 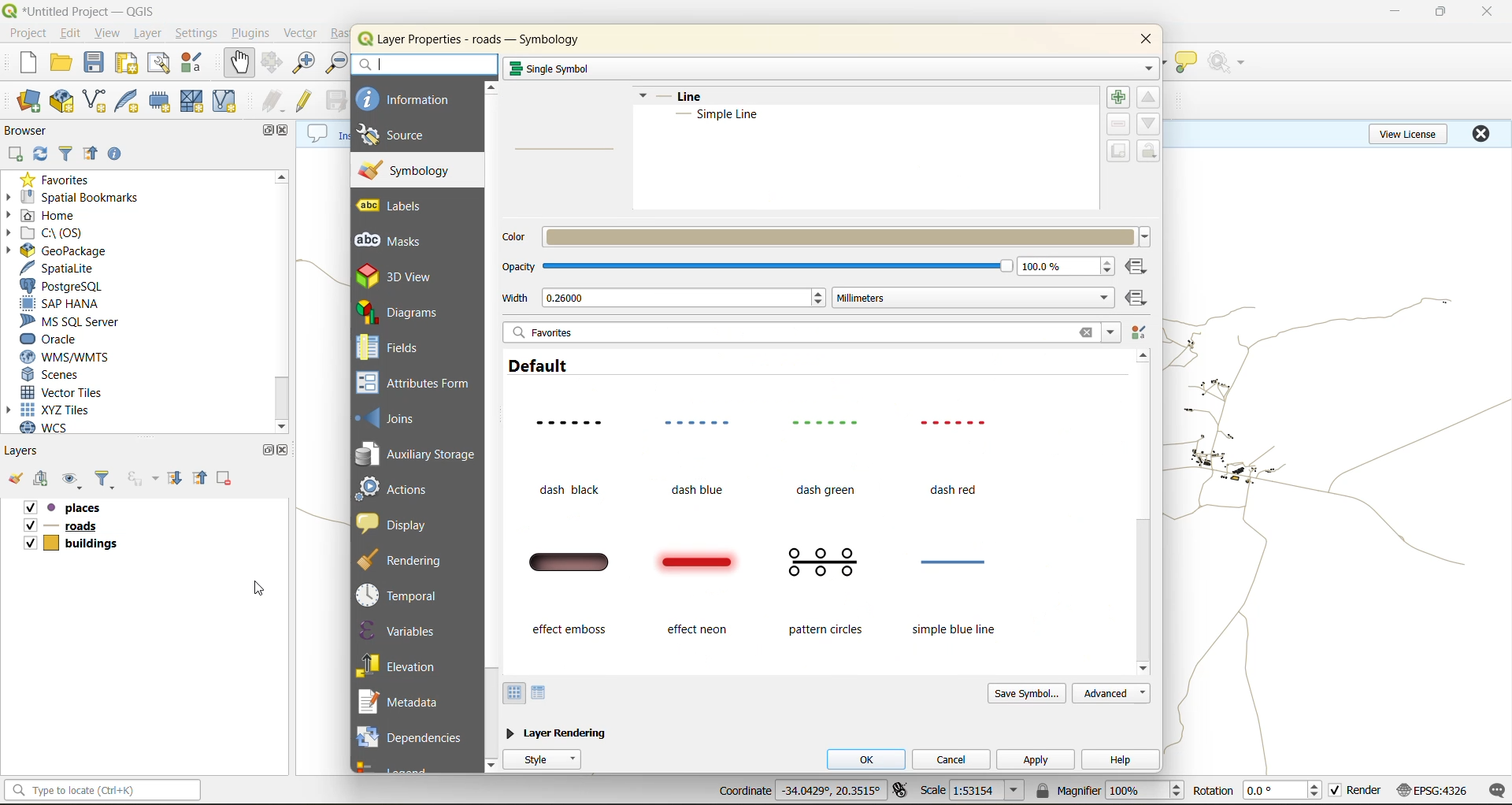 I want to click on expand properties, so click(x=119, y=156).